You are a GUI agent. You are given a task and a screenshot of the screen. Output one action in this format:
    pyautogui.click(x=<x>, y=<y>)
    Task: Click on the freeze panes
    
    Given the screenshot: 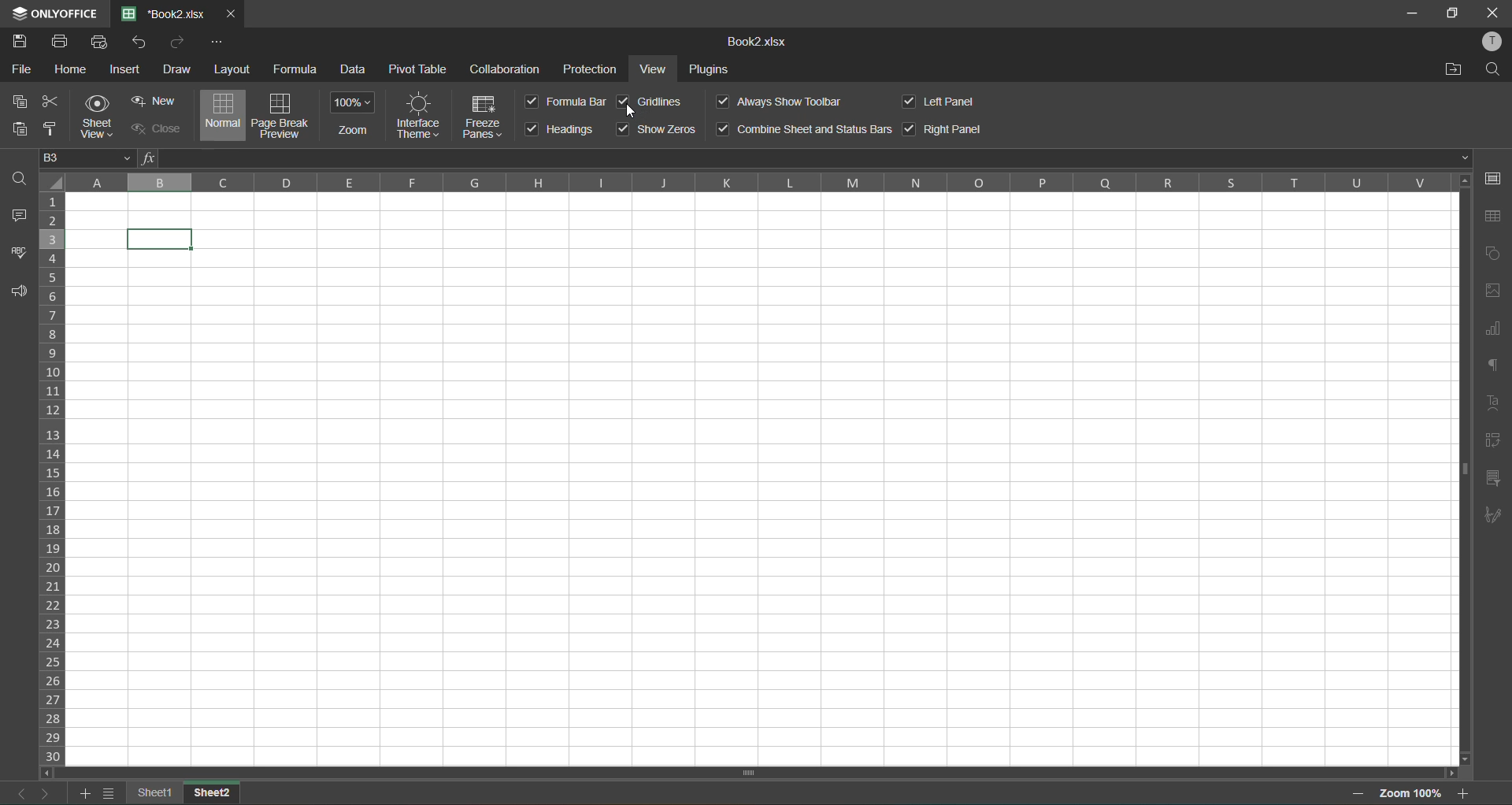 What is the action you would take?
    pyautogui.click(x=486, y=115)
    